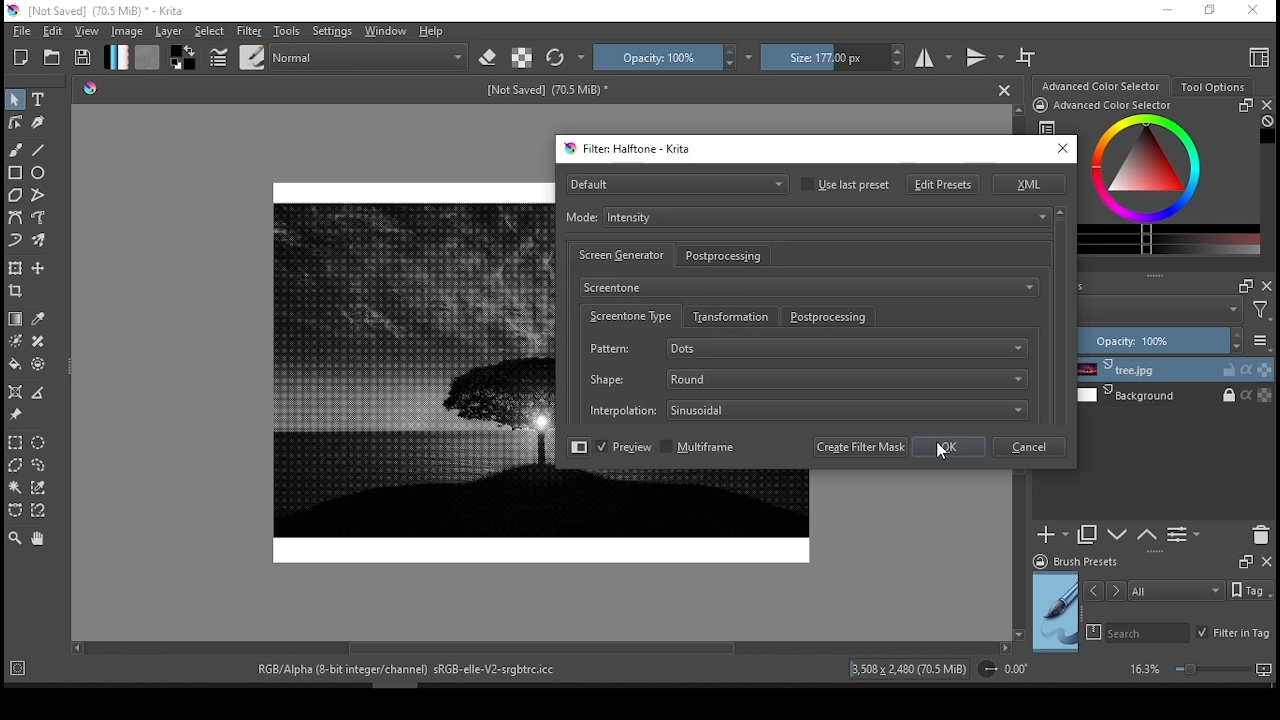 The image size is (1280, 720). Describe the element at coordinates (1262, 341) in the screenshot. I see `more options` at that location.